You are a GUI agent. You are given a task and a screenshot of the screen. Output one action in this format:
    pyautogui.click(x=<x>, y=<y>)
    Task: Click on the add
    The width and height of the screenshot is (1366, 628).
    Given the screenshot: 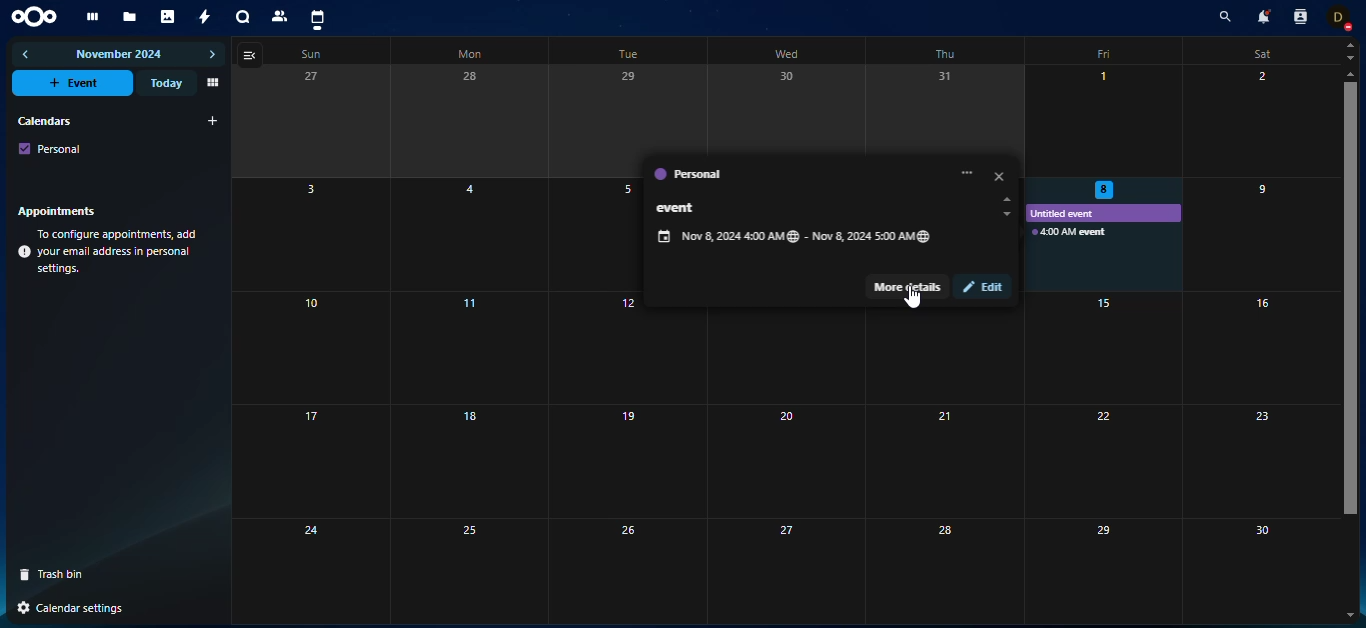 What is the action you would take?
    pyautogui.click(x=213, y=121)
    